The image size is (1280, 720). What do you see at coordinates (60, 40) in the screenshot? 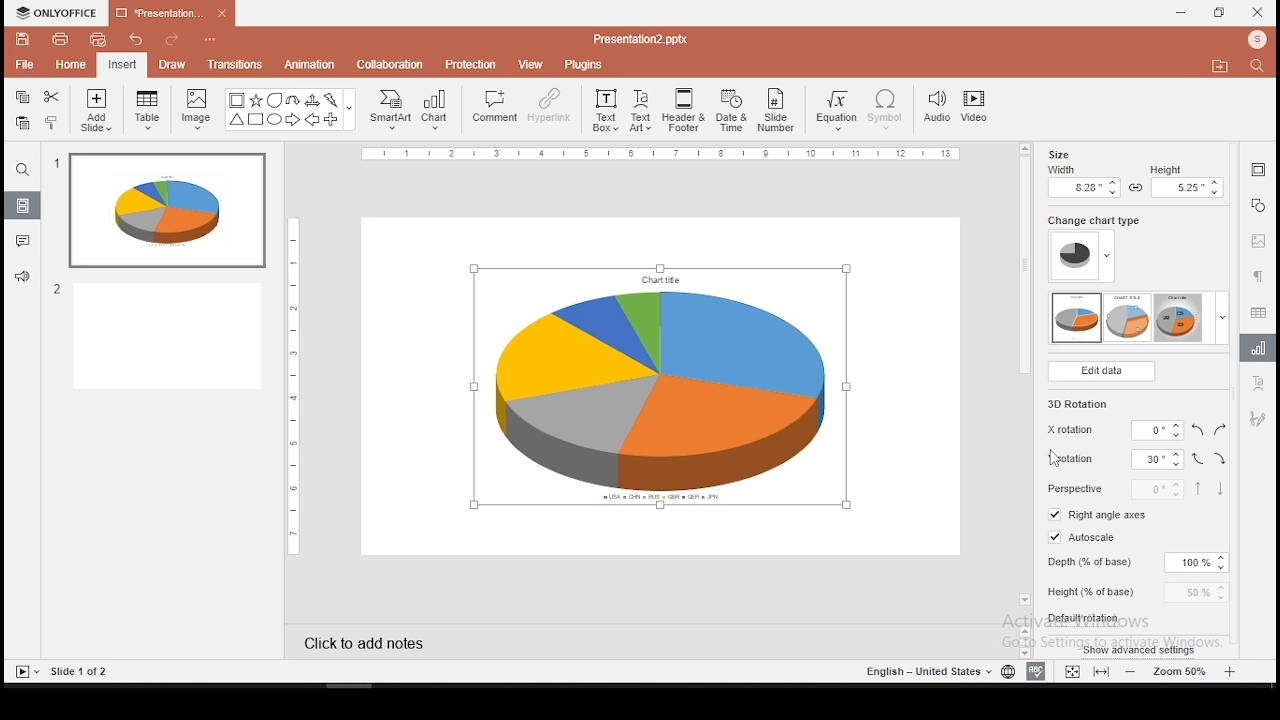
I see `print file` at bounding box center [60, 40].